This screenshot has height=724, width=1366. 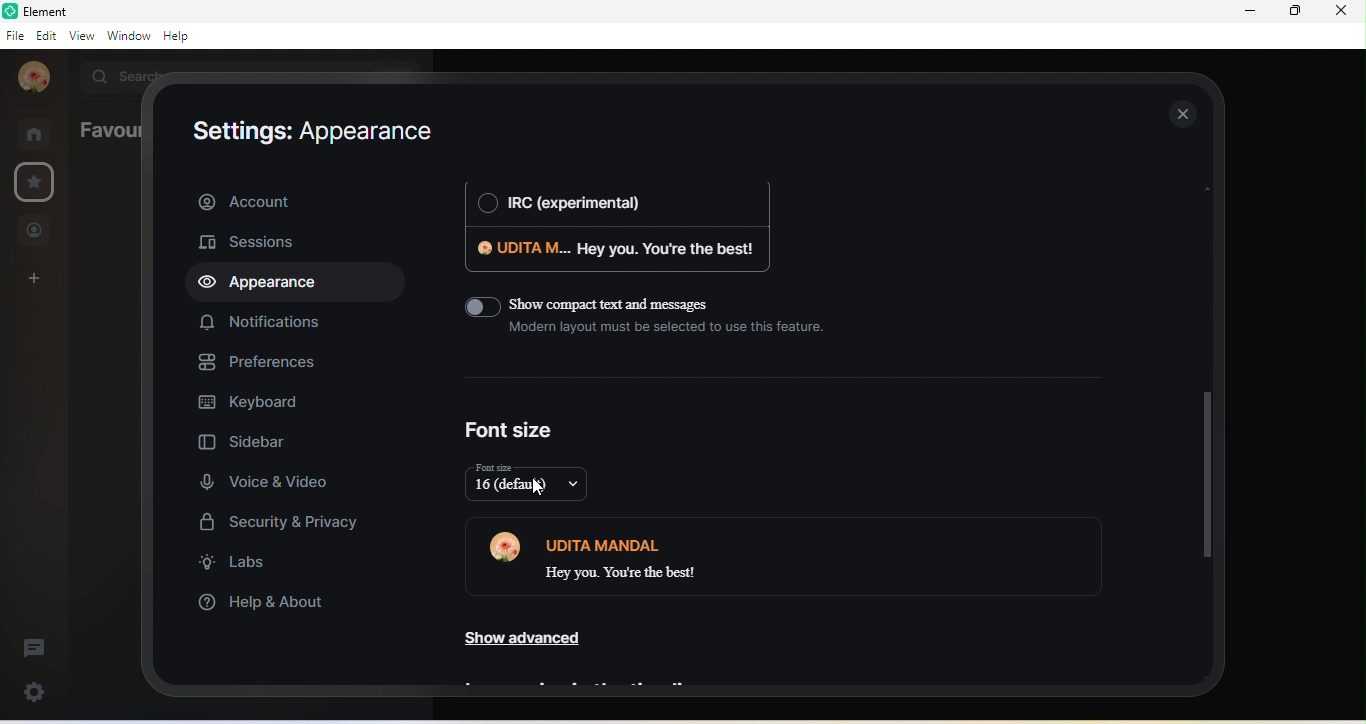 What do you see at coordinates (1250, 12) in the screenshot?
I see `minimize` at bounding box center [1250, 12].